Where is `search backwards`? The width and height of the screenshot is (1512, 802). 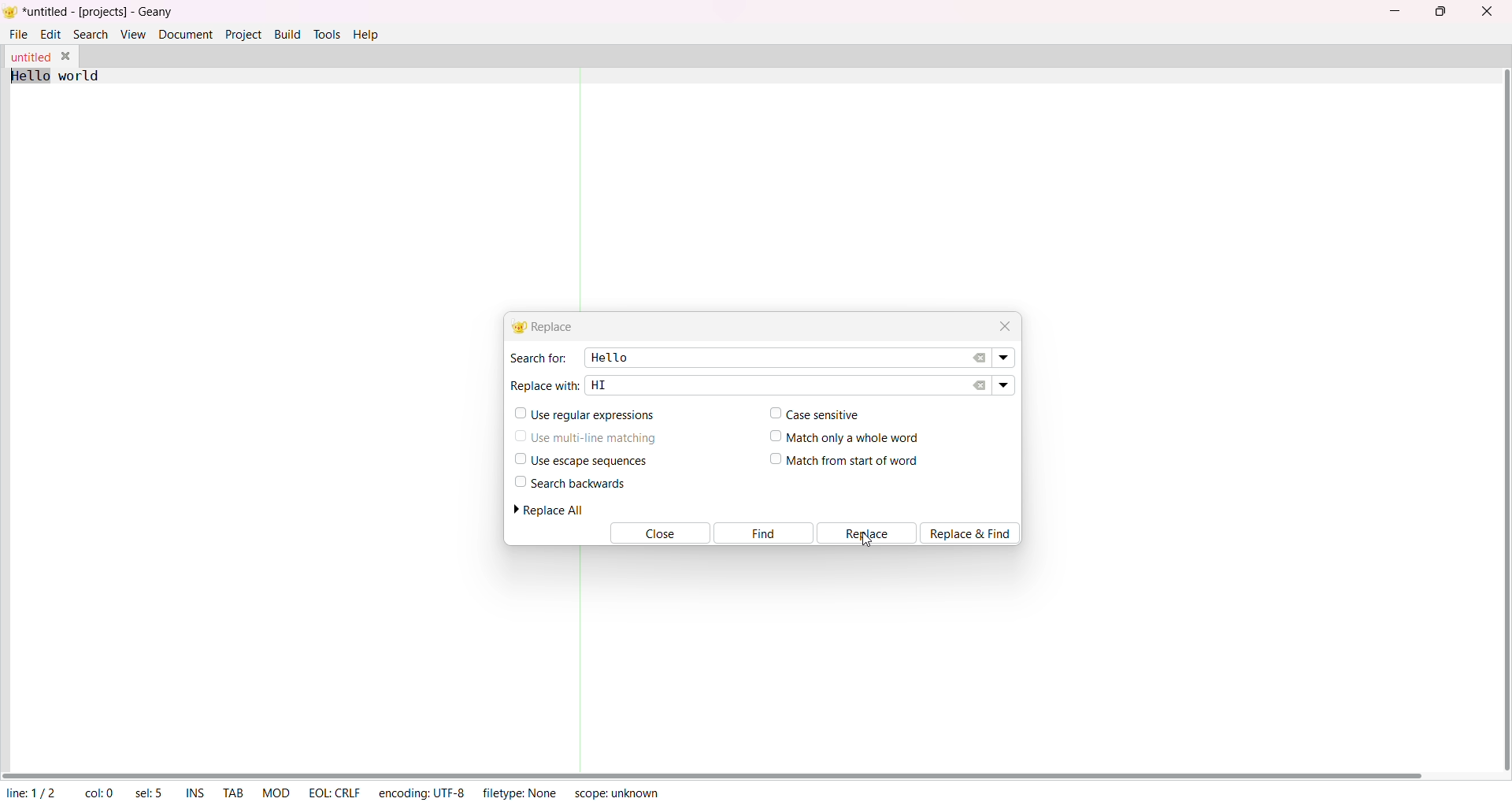
search backwards is located at coordinates (569, 483).